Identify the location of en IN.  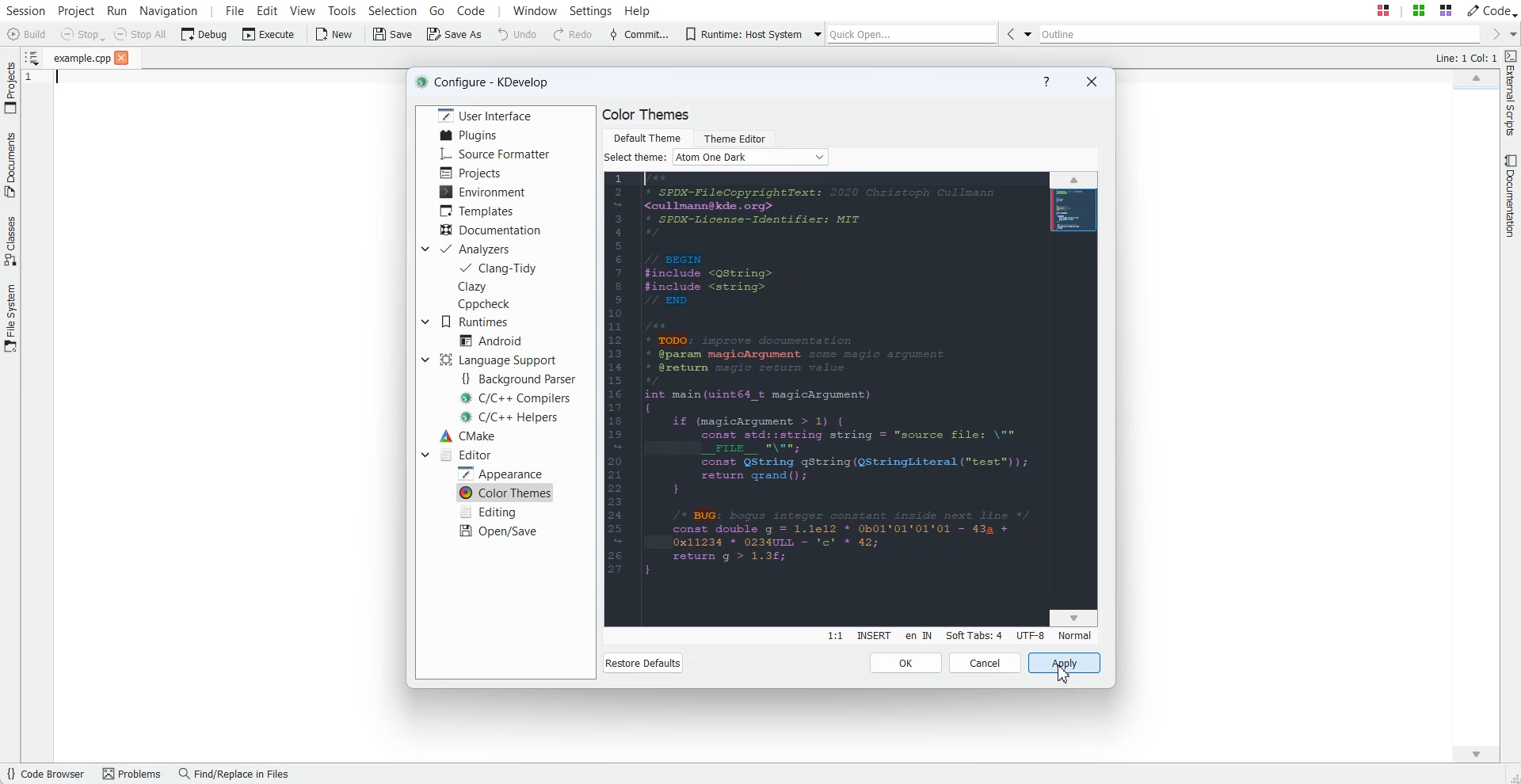
(918, 637).